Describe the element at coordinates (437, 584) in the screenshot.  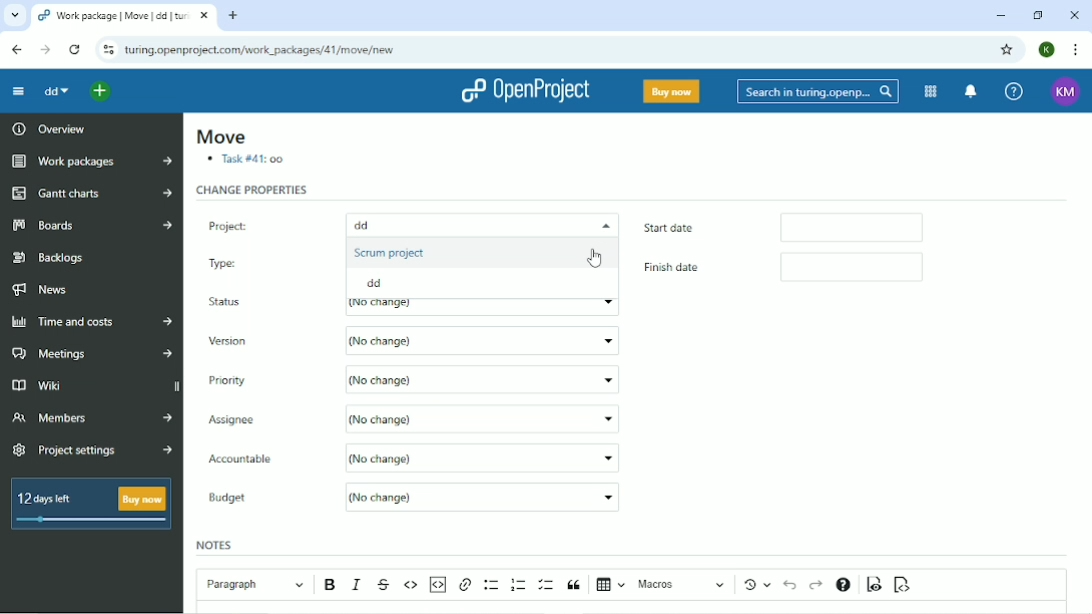
I see `Insert code snippet` at that location.